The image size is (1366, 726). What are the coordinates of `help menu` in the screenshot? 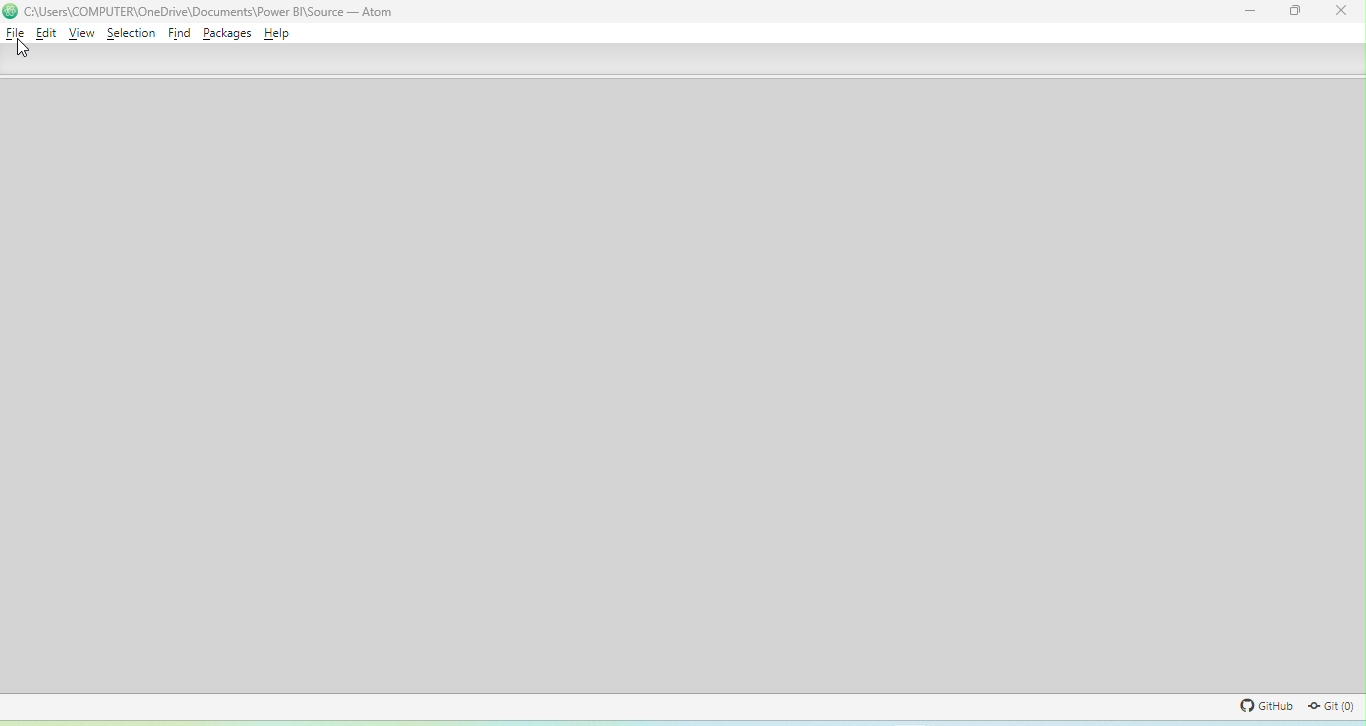 It's located at (276, 33).